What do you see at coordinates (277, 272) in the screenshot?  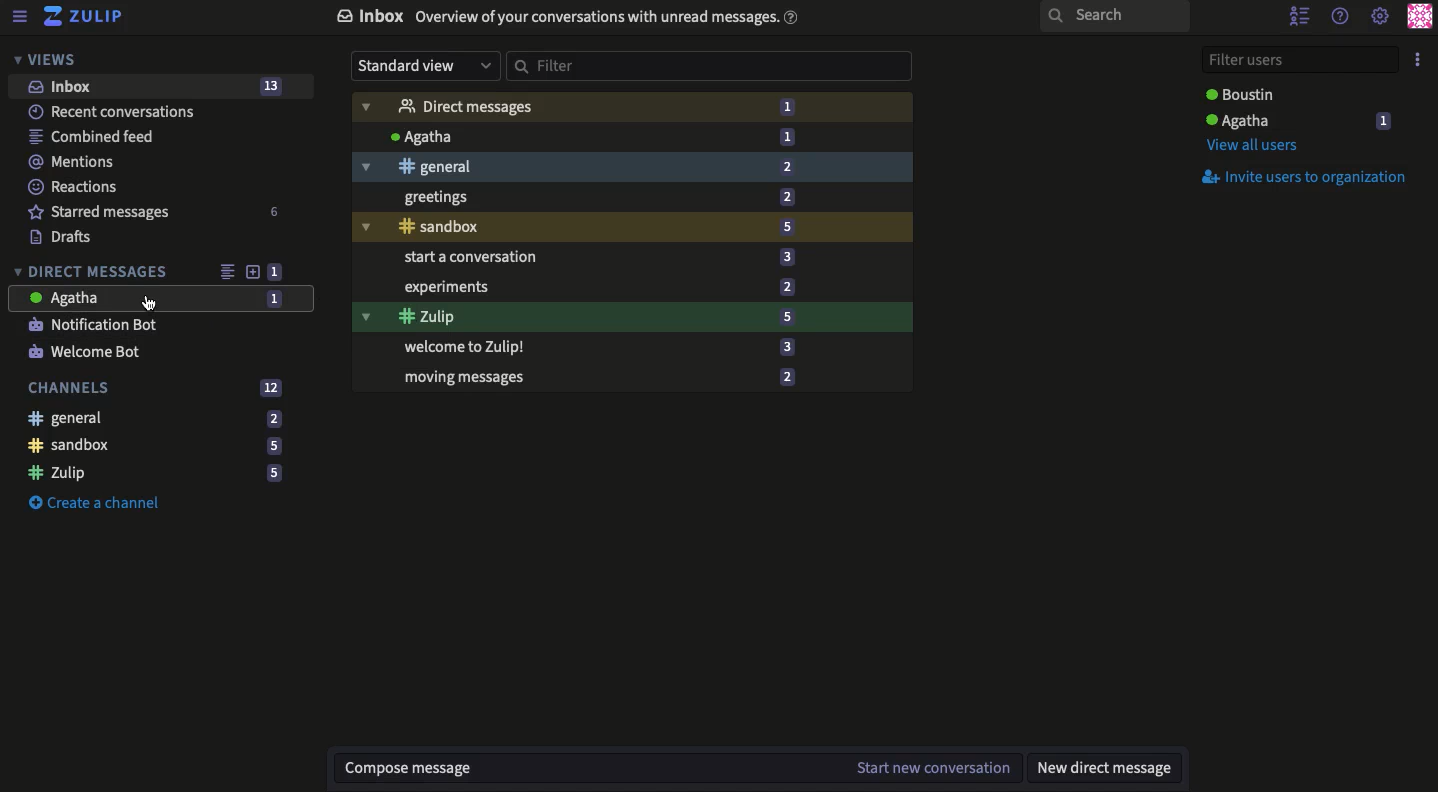 I see `1` at bounding box center [277, 272].